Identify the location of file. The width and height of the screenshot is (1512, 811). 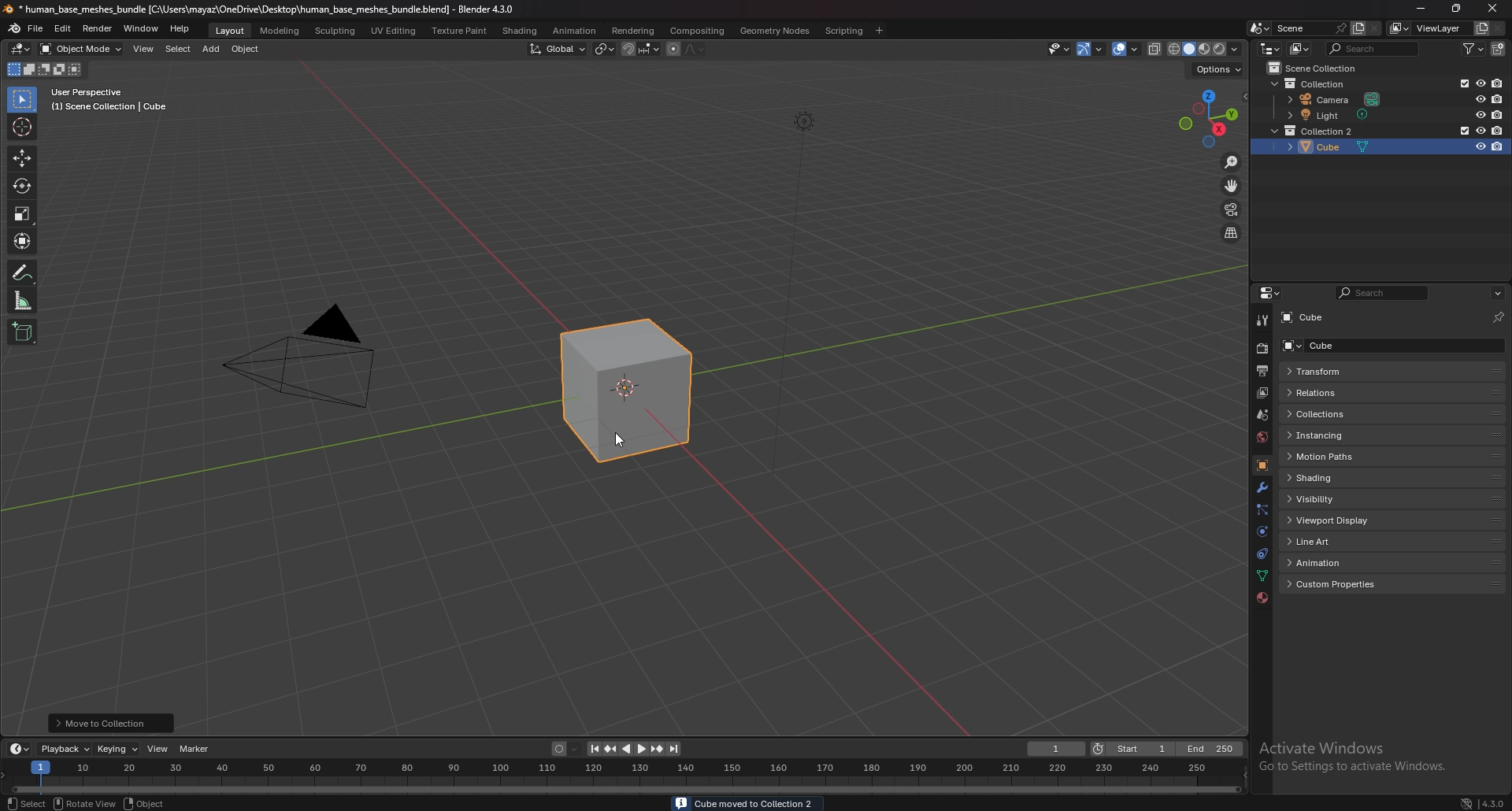
(36, 29).